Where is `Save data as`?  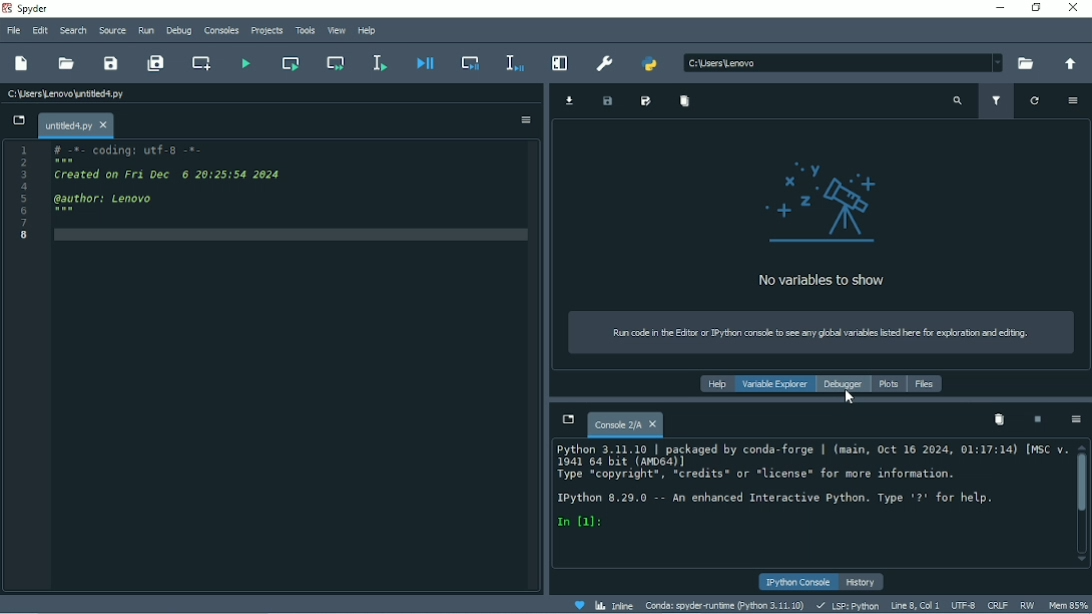
Save data as is located at coordinates (646, 101).